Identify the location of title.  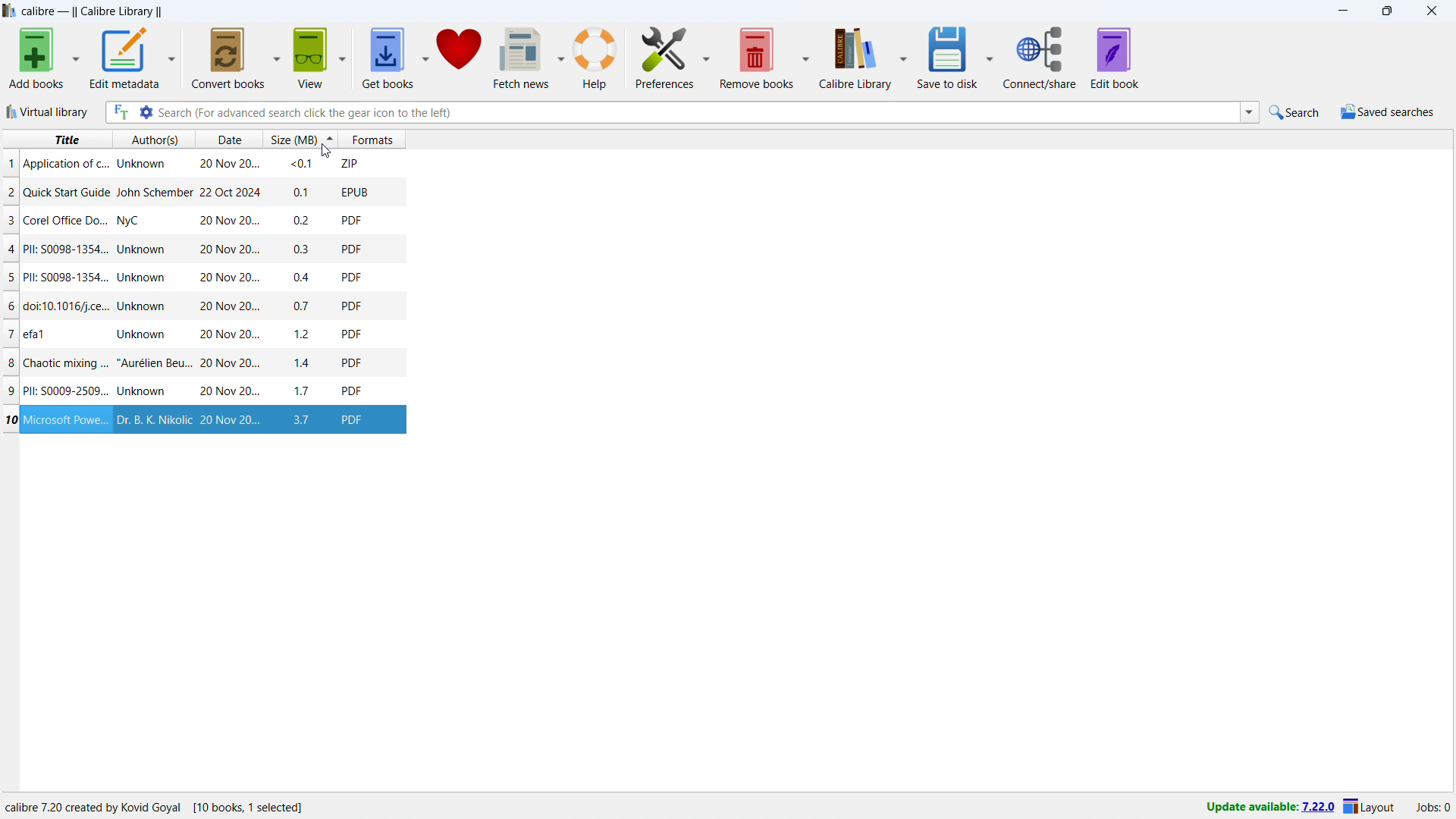
(66, 390).